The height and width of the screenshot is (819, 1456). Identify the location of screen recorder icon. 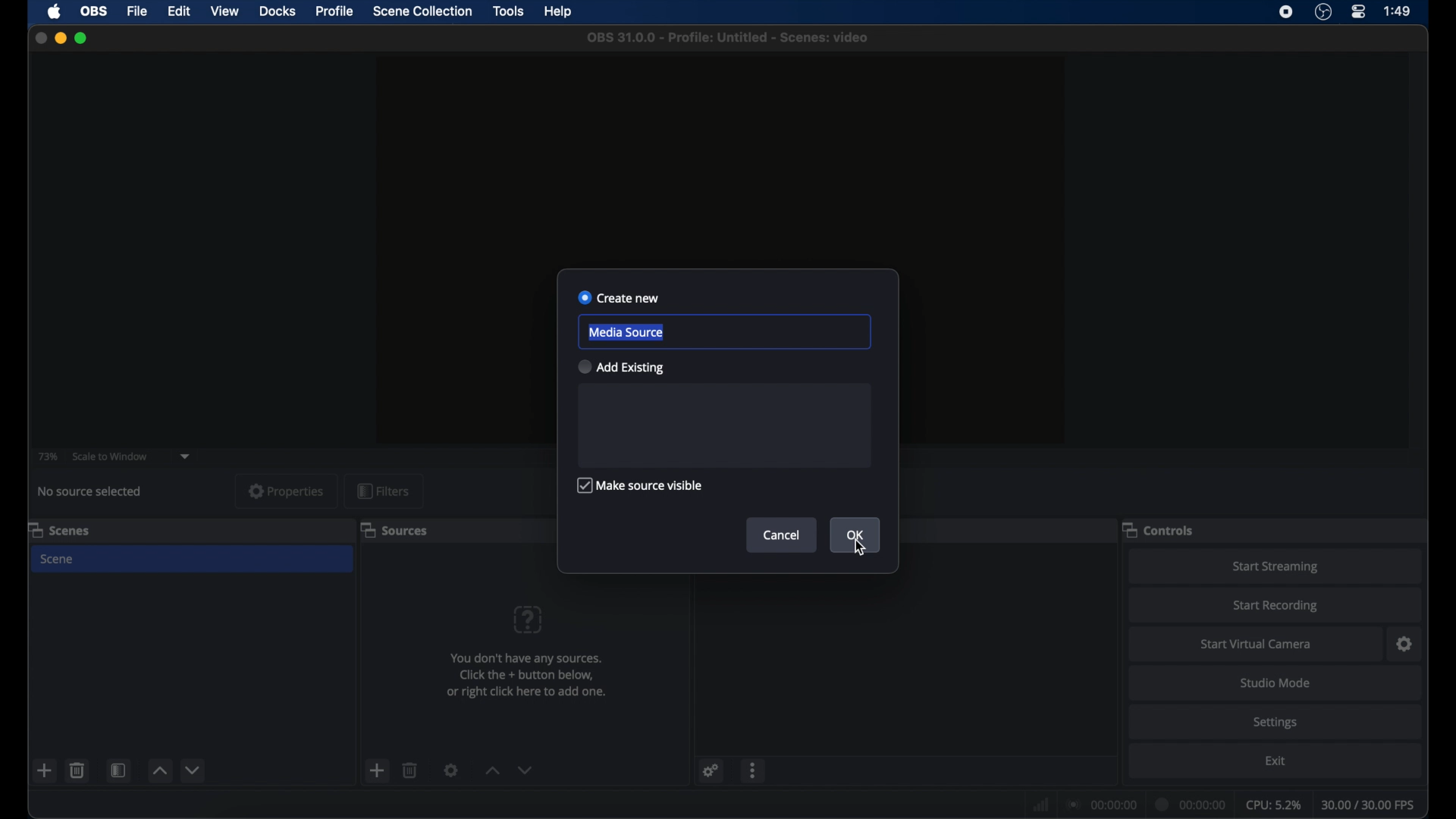
(1285, 12).